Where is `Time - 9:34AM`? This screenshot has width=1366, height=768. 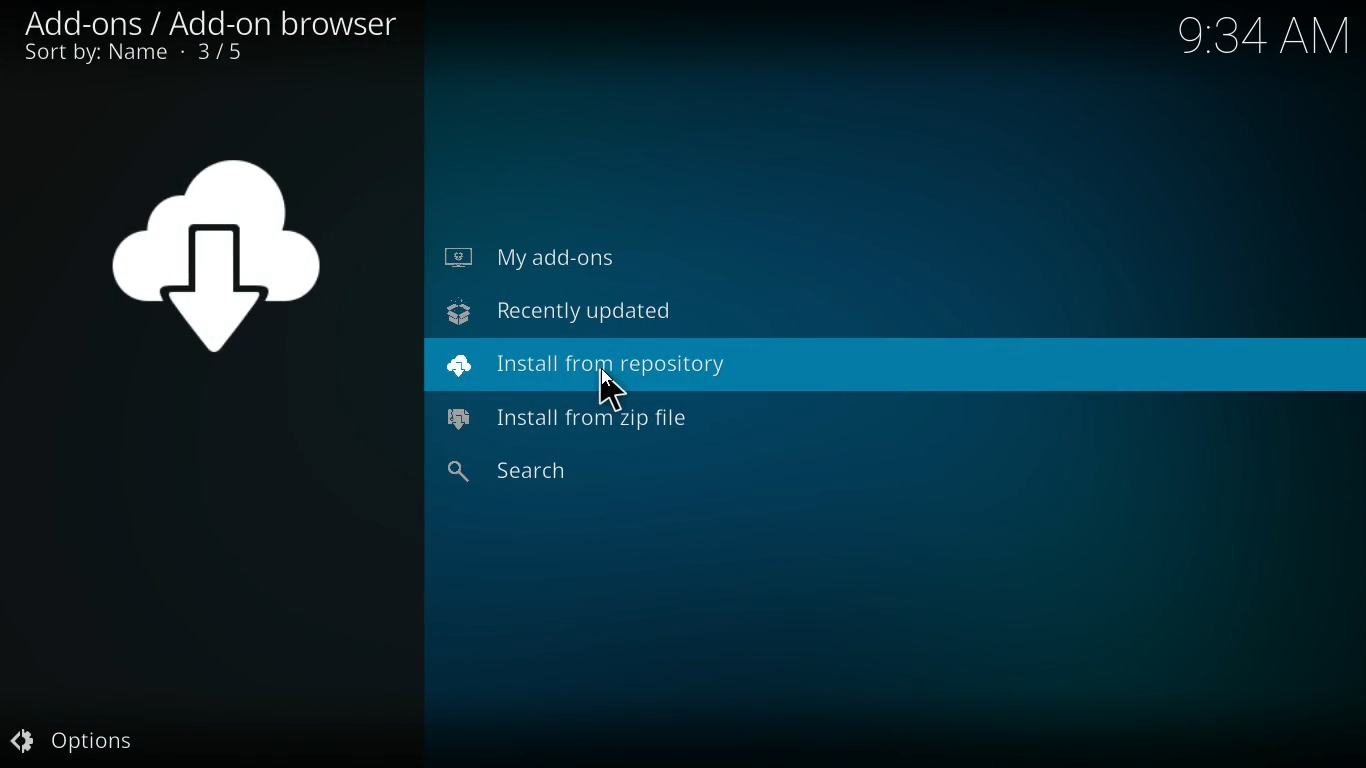 Time - 9:34AM is located at coordinates (1260, 36).